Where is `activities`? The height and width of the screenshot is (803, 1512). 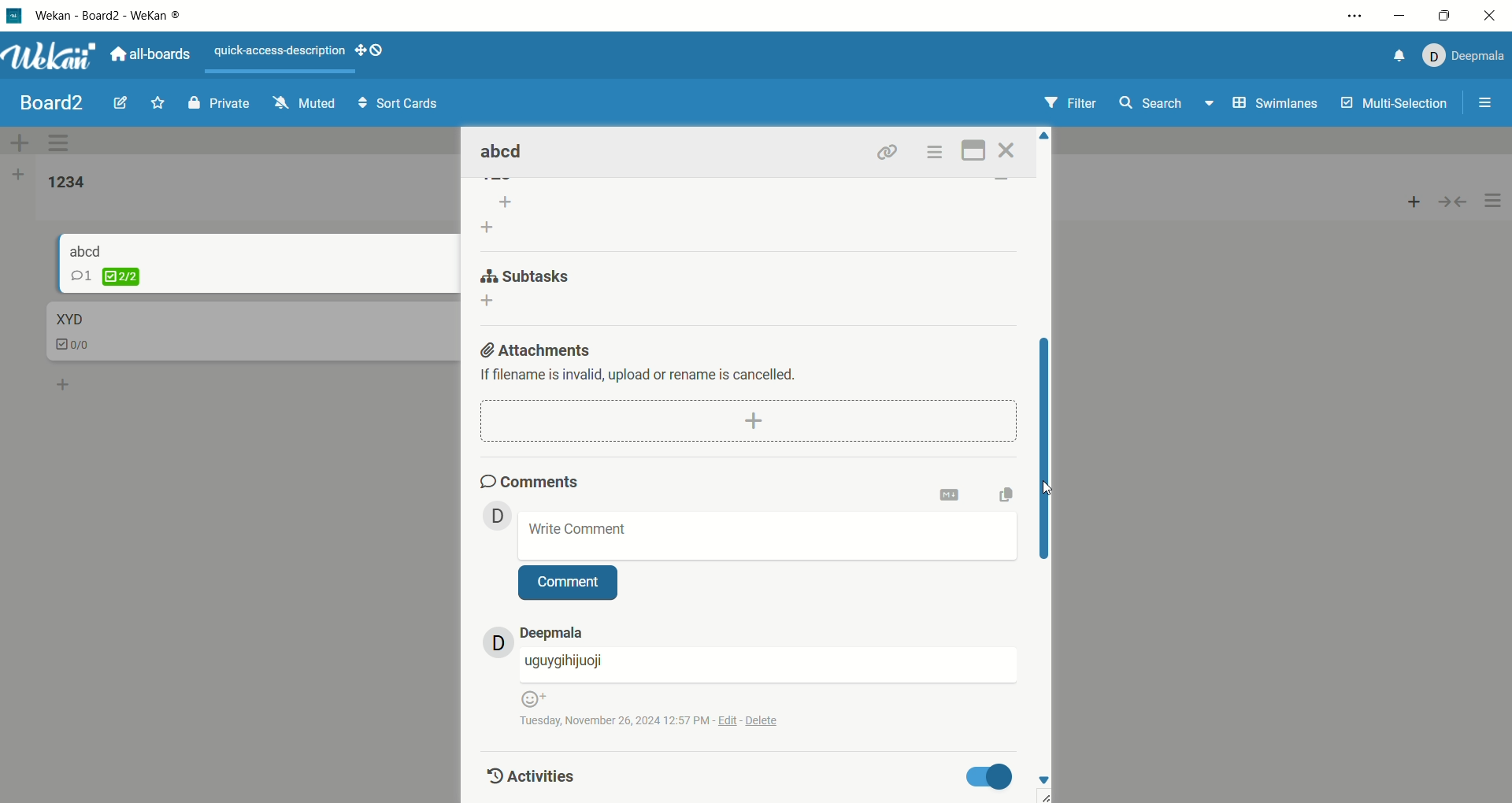 activities is located at coordinates (528, 774).